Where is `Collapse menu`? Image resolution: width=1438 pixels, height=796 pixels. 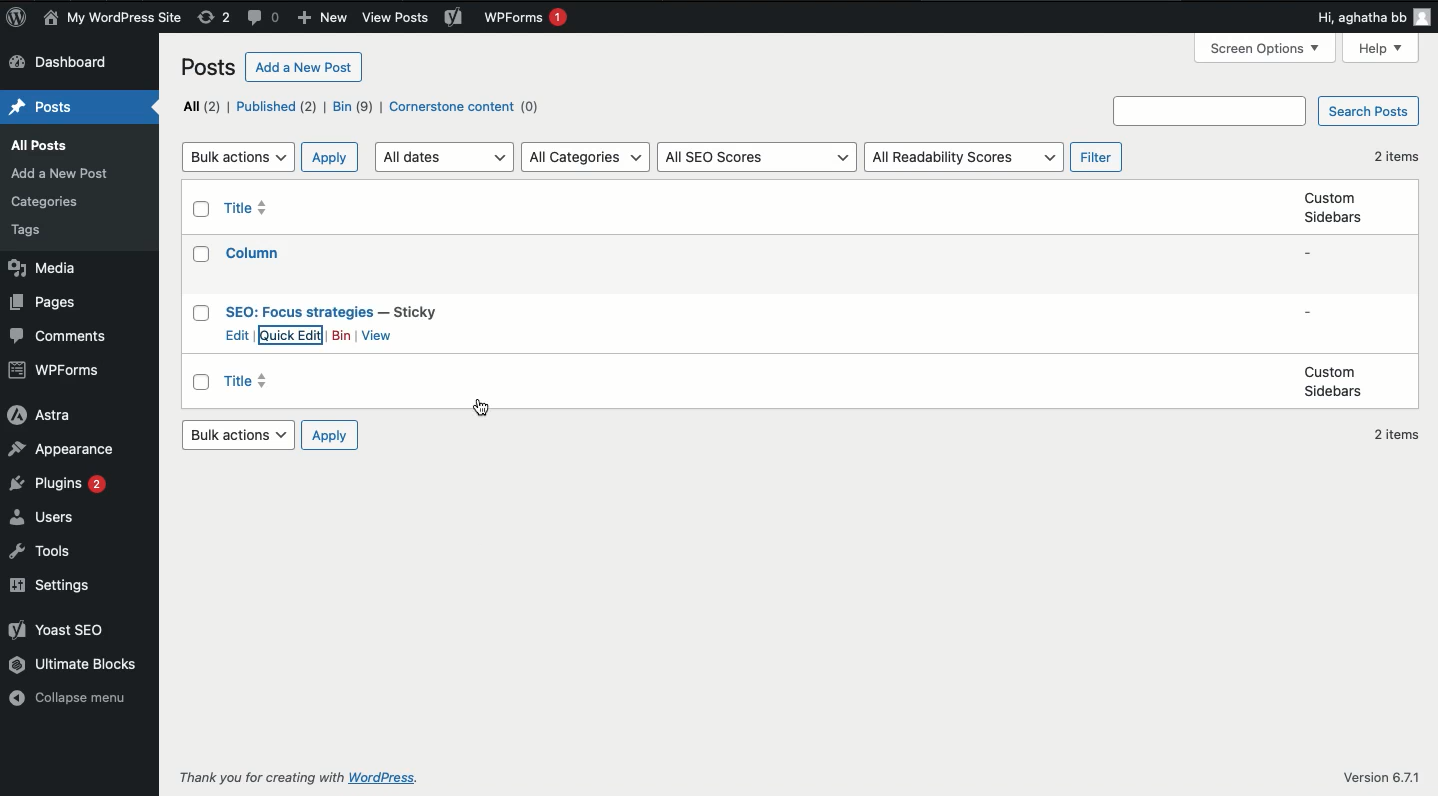
Collapse menu is located at coordinates (74, 700).